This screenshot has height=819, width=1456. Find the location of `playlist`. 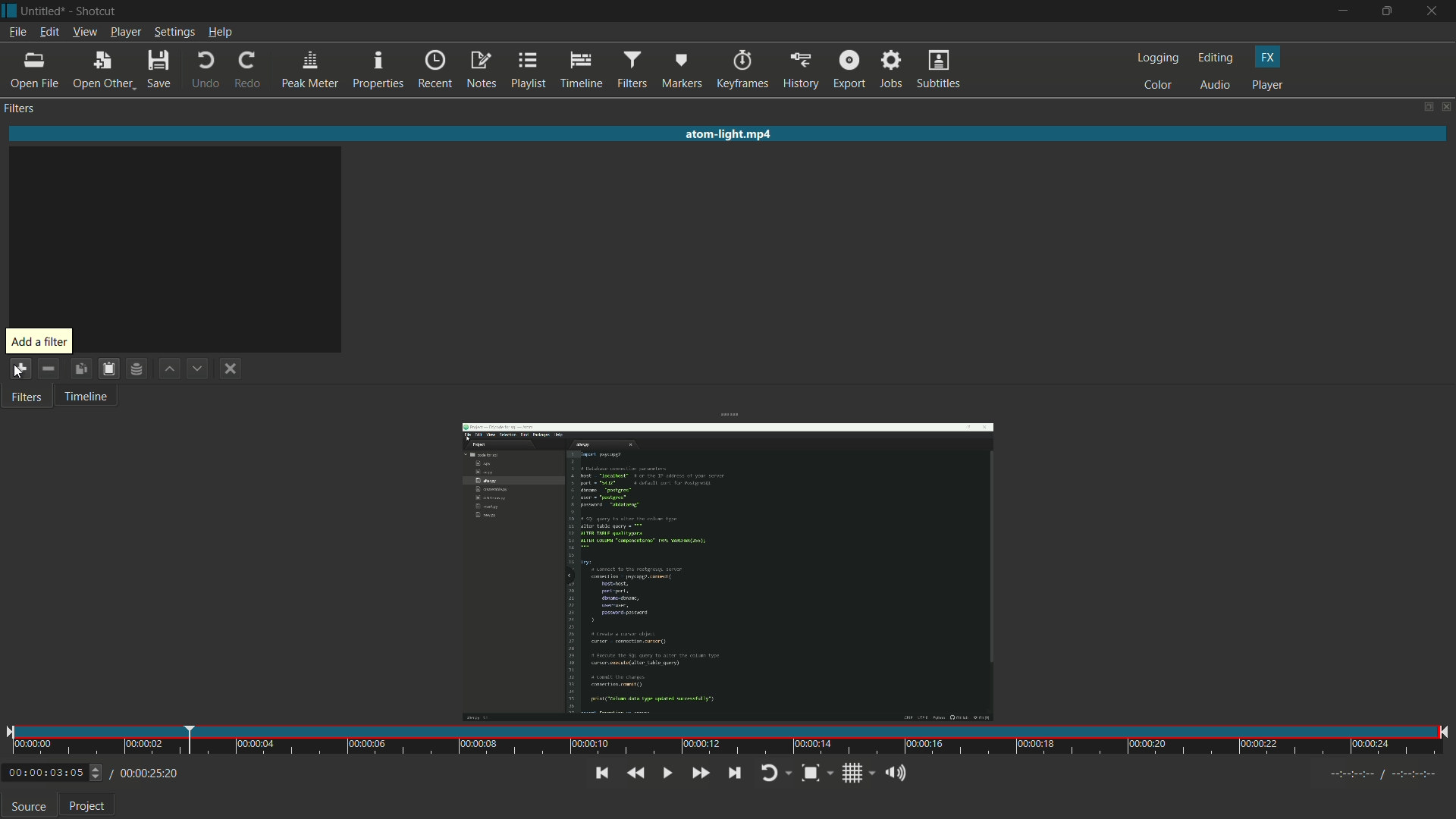

playlist is located at coordinates (531, 71).